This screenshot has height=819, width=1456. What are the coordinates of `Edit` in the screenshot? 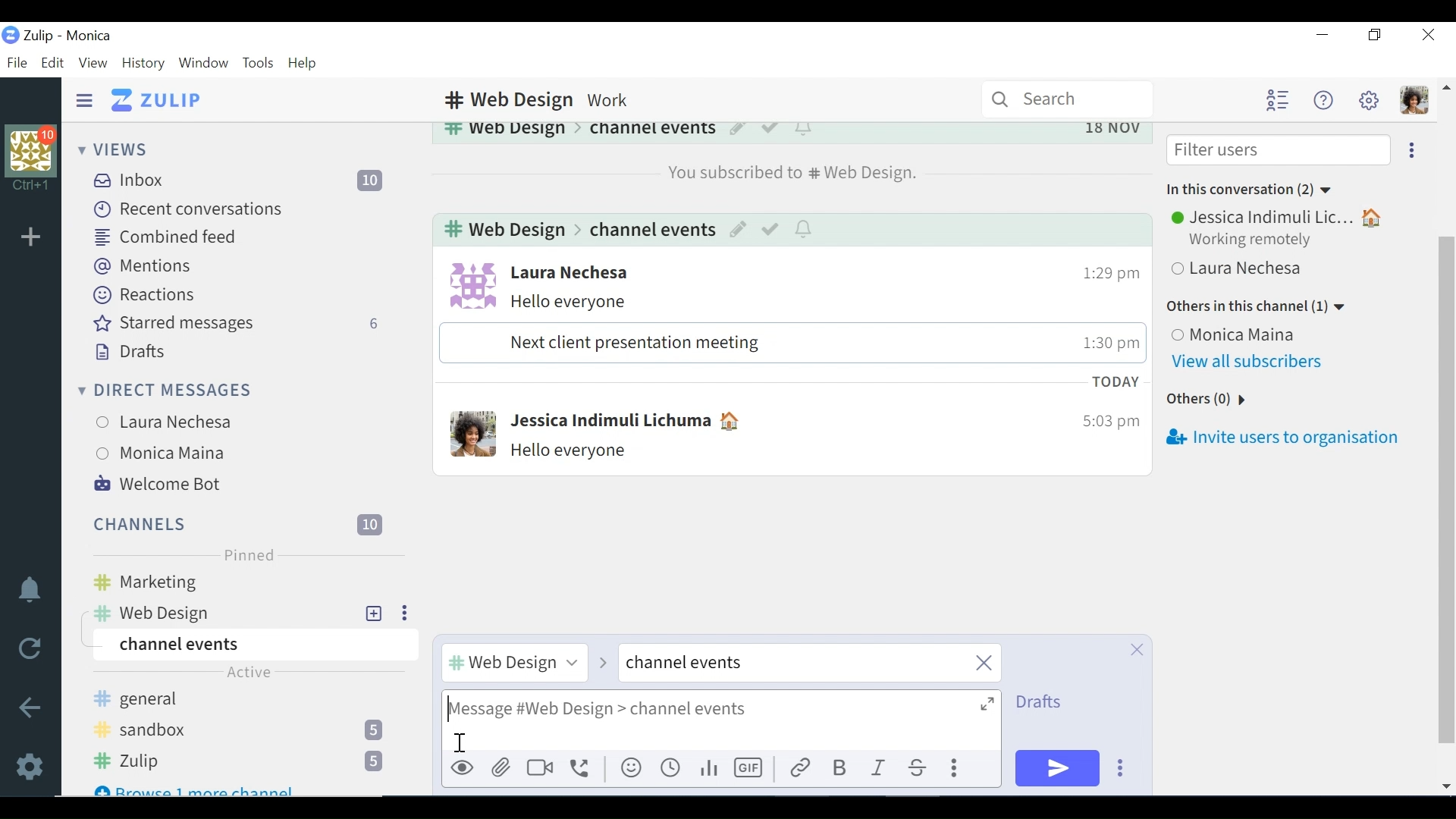 It's located at (736, 127).